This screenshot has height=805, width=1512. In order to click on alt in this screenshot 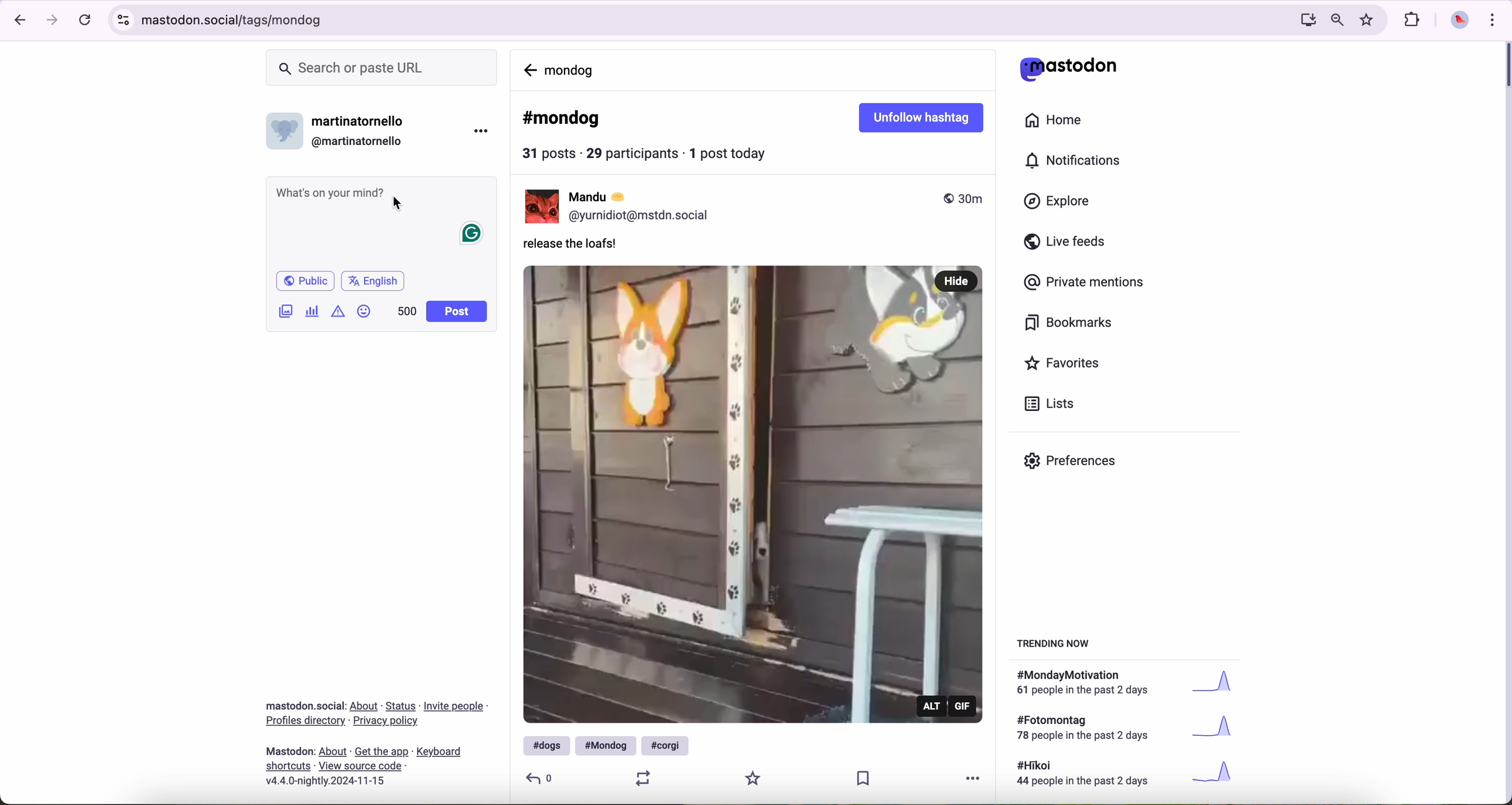, I will do `click(933, 705)`.